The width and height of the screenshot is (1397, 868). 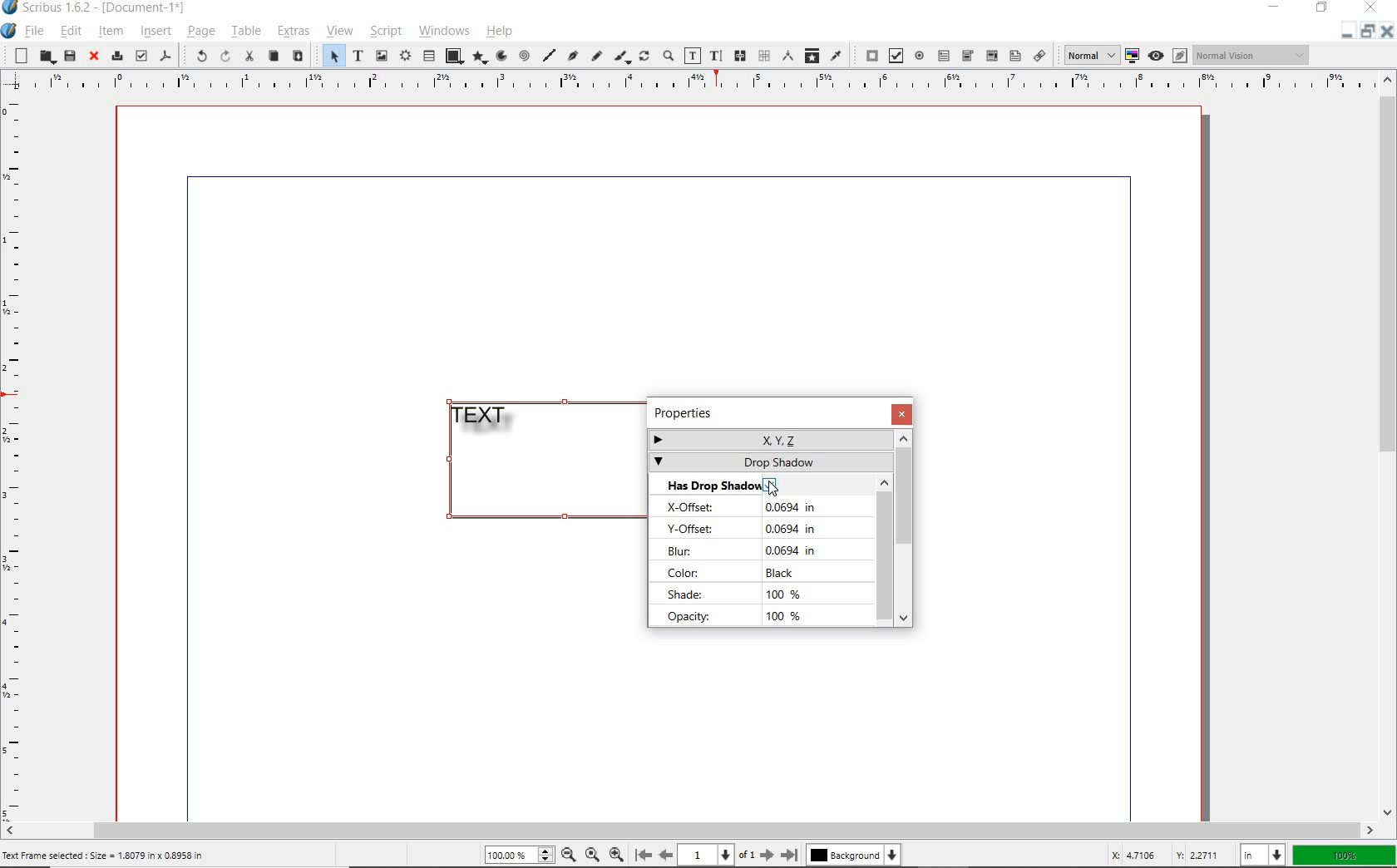 I want to click on paste, so click(x=299, y=57).